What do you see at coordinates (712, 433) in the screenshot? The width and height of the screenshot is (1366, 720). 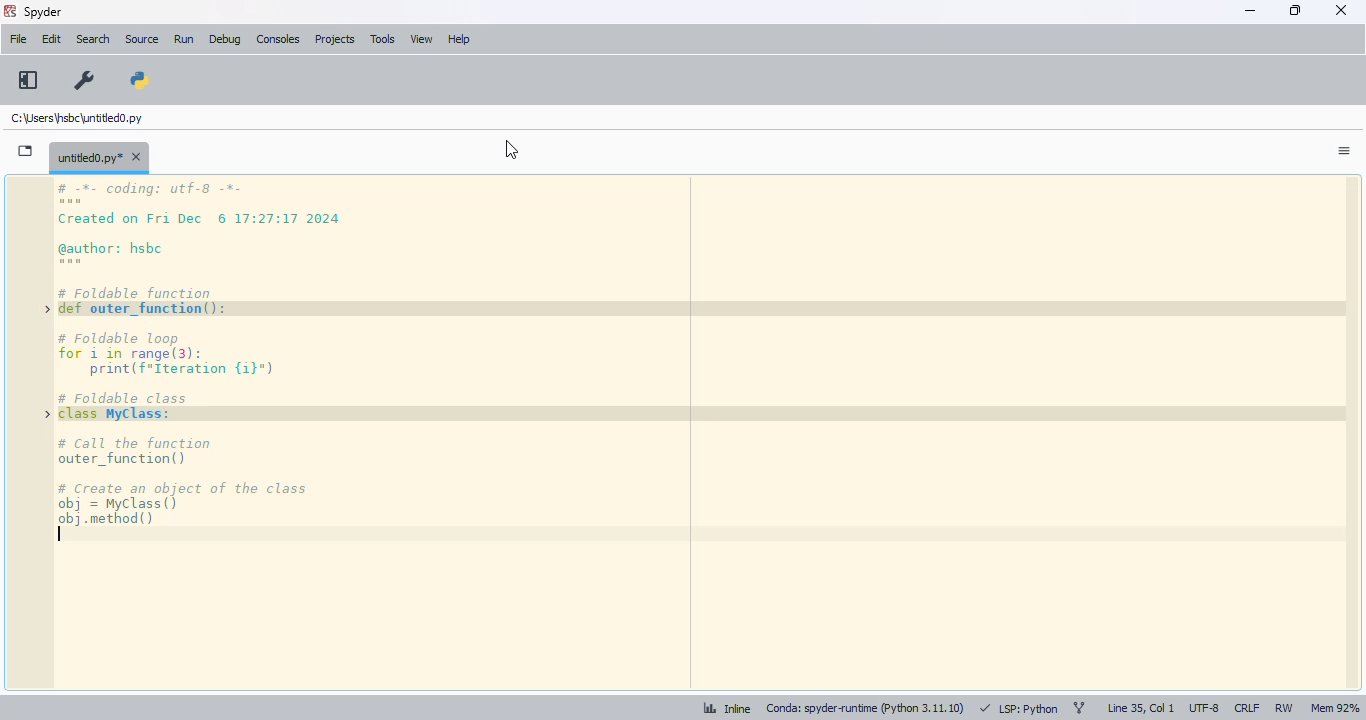 I see `code executing iteration till 3 ` at bounding box center [712, 433].